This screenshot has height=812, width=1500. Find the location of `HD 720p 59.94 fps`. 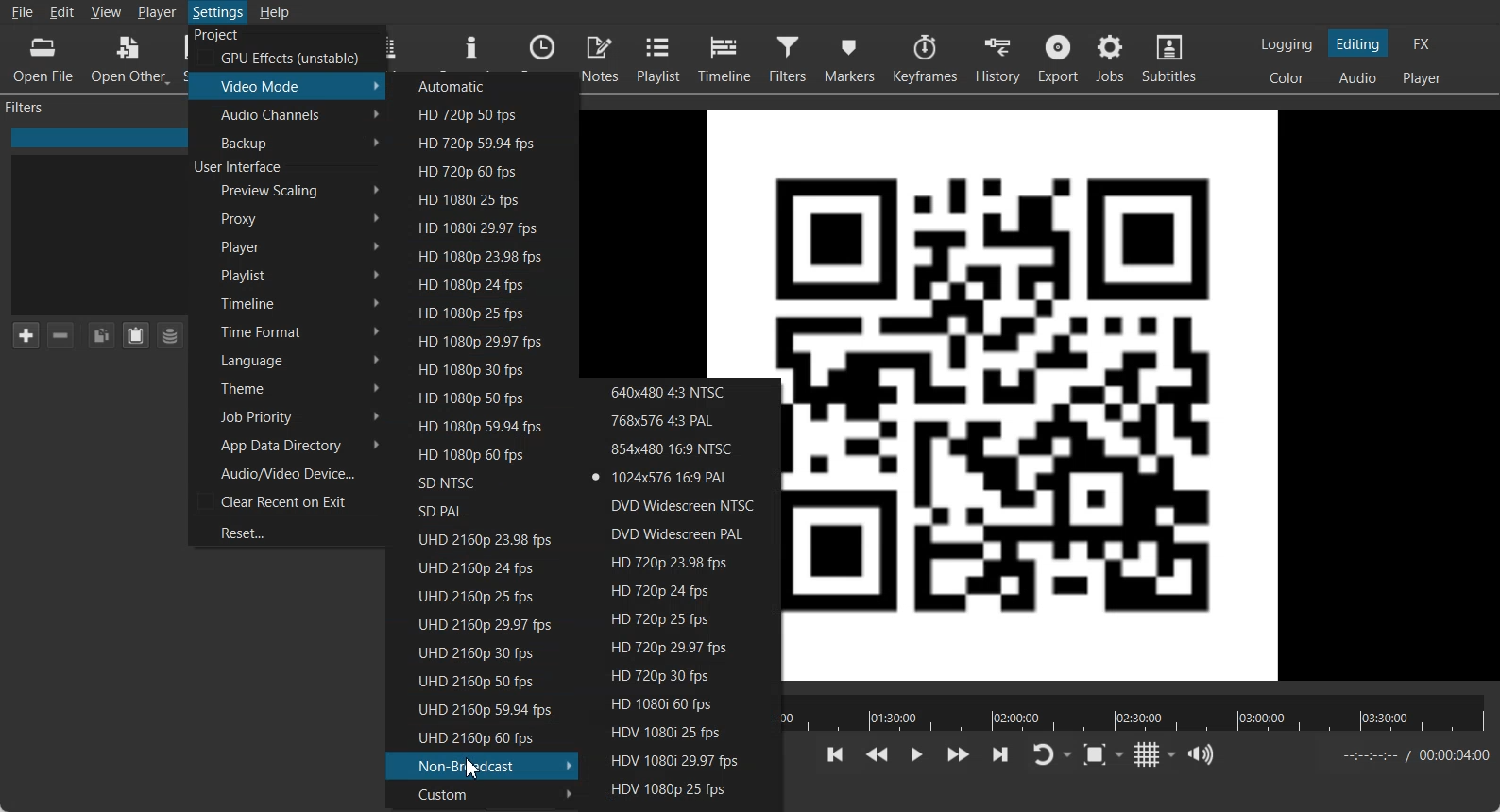

HD 720p 59.94 fps is located at coordinates (481, 142).